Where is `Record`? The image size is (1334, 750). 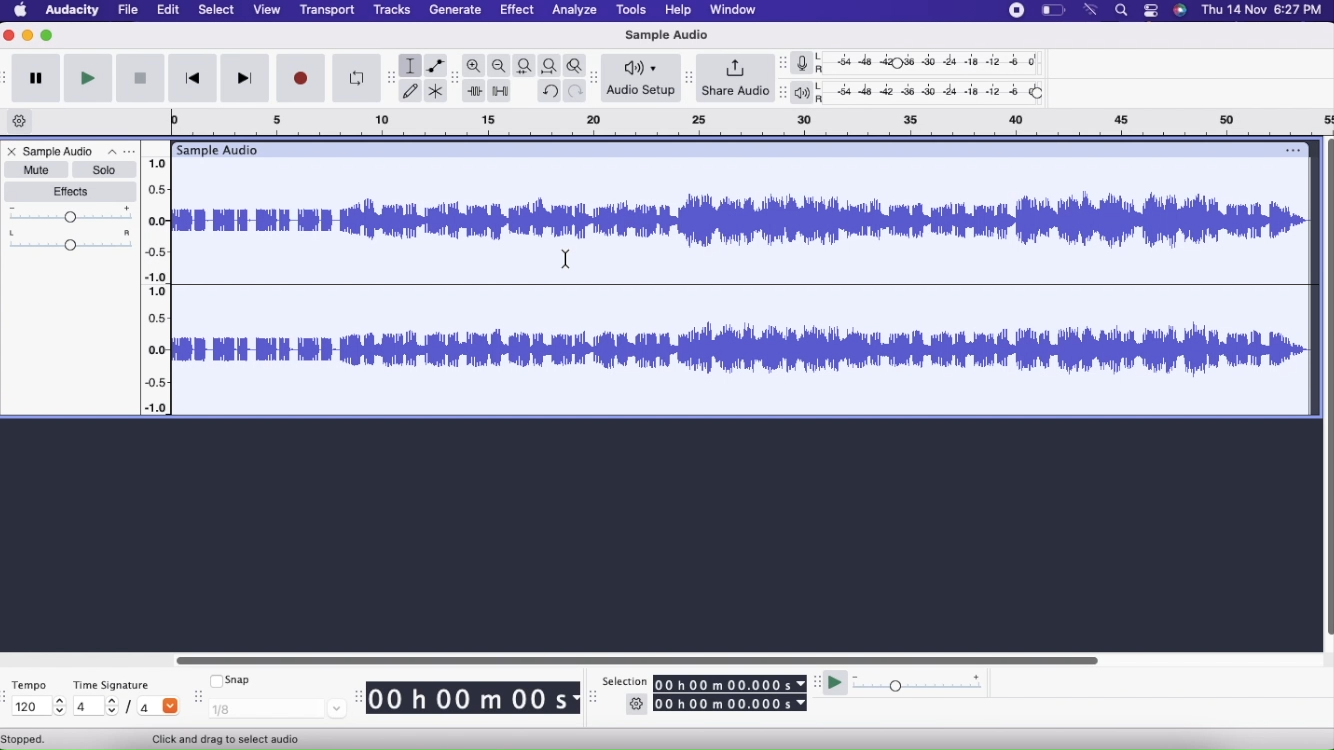
Record is located at coordinates (300, 78).